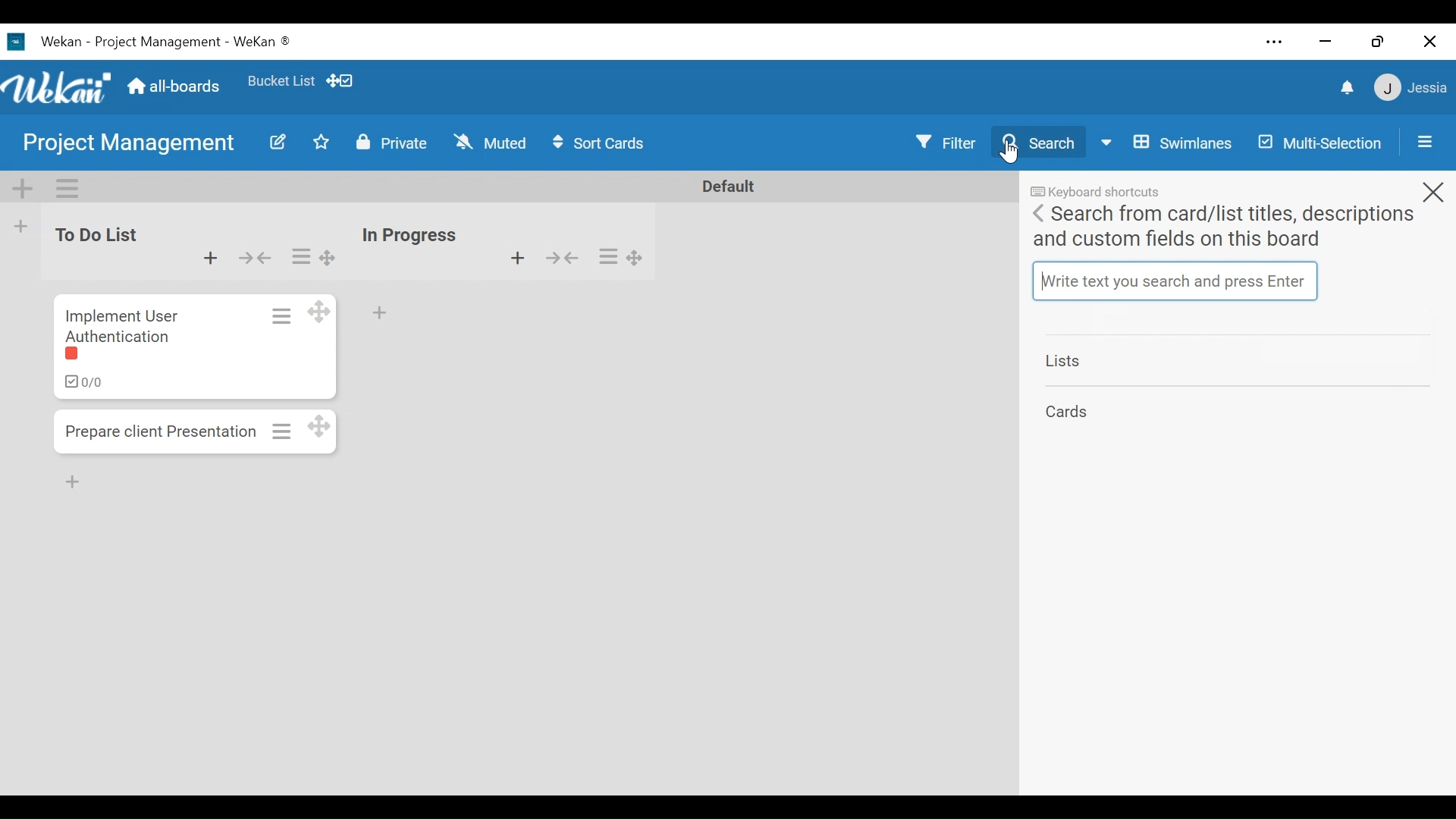 The width and height of the screenshot is (1456, 819). Describe the element at coordinates (606, 256) in the screenshot. I see `list actions` at that location.